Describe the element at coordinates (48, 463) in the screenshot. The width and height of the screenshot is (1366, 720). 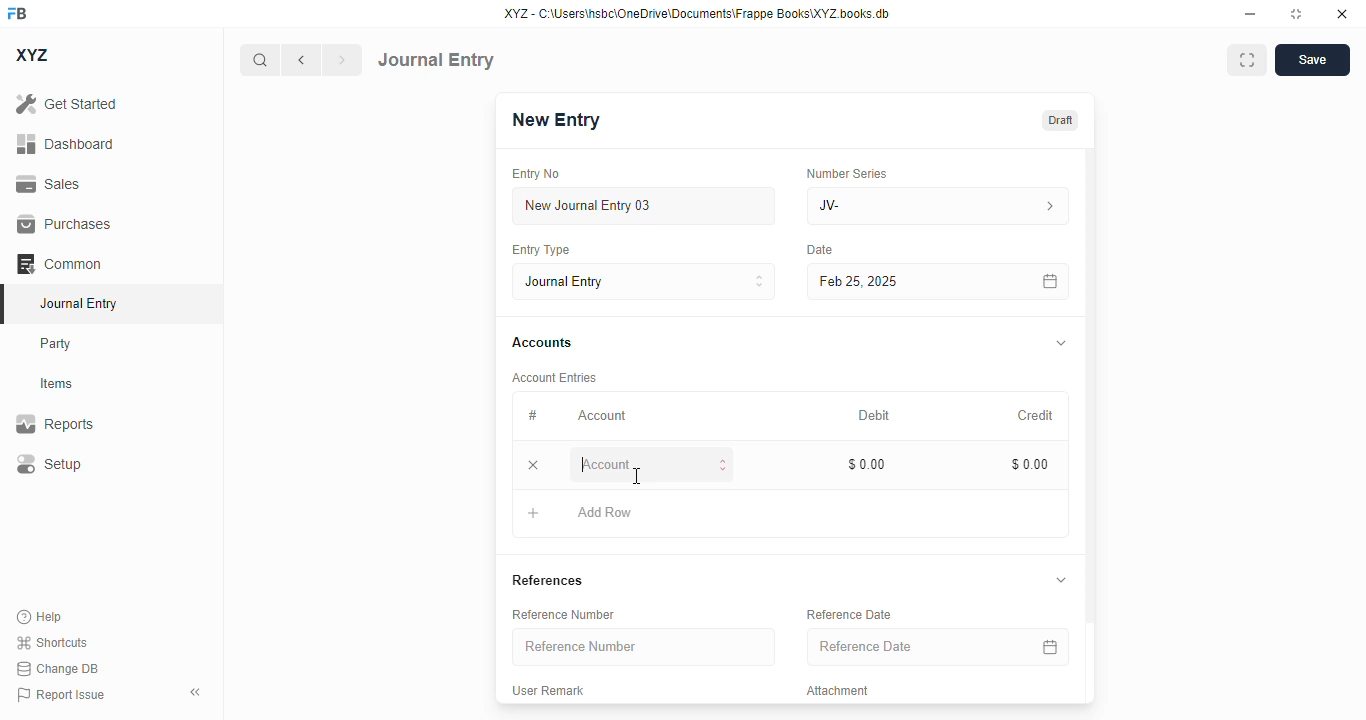
I see `setup` at that location.